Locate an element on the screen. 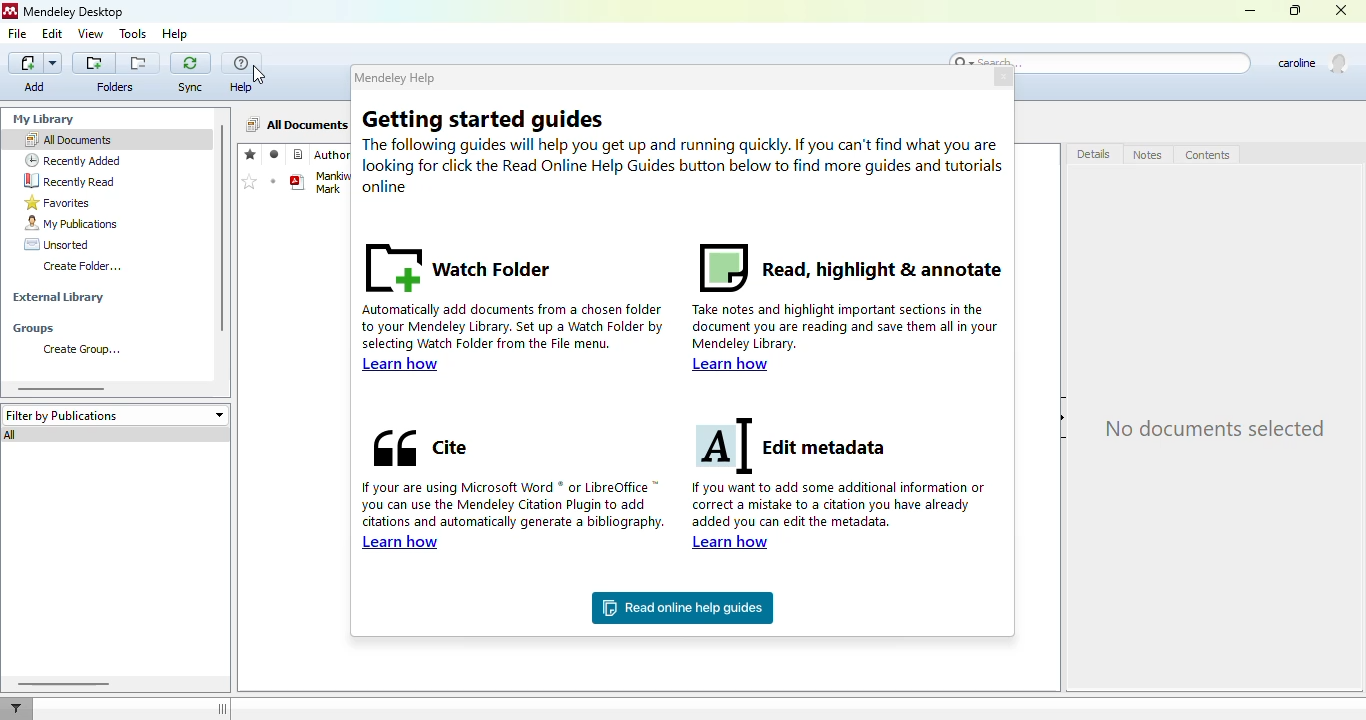  all documents is located at coordinates (297, 124).